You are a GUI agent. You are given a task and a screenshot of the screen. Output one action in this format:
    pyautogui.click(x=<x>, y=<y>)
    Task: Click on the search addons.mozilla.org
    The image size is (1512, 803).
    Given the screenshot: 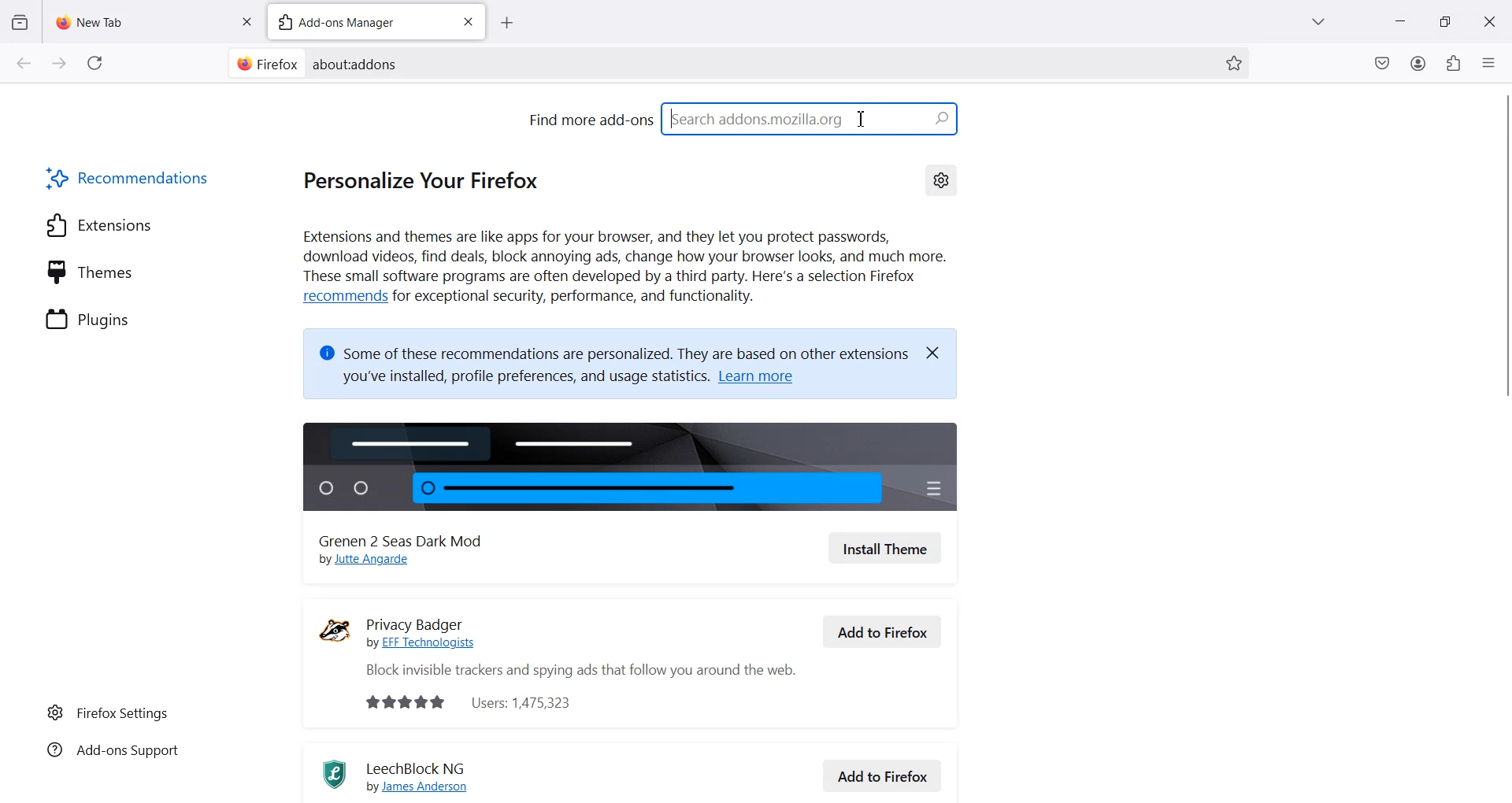 What is the action you would take?
    pyautogui.click(x=812, y=117)
    